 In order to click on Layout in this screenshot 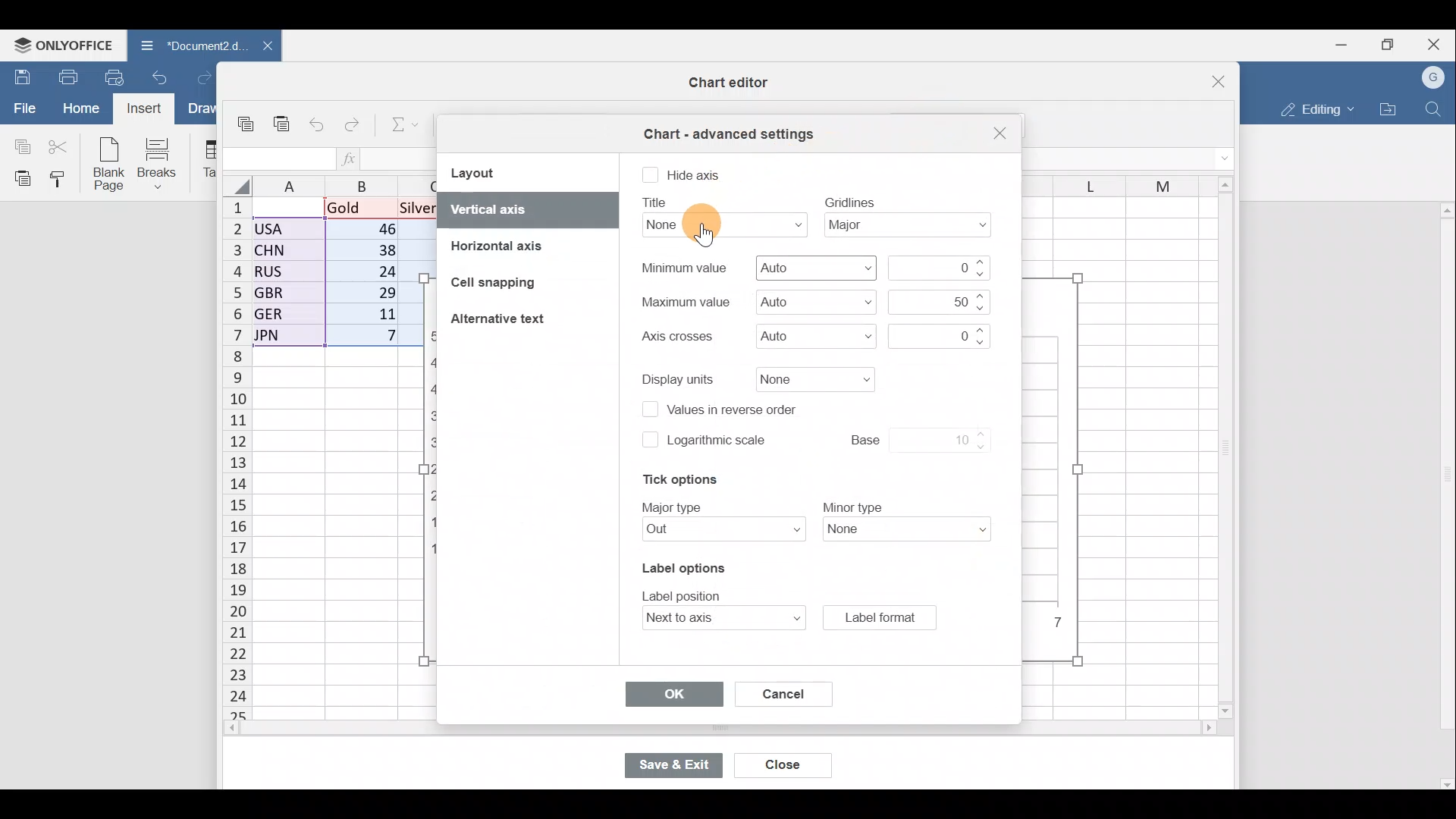, I will do `click(487, 172)`.